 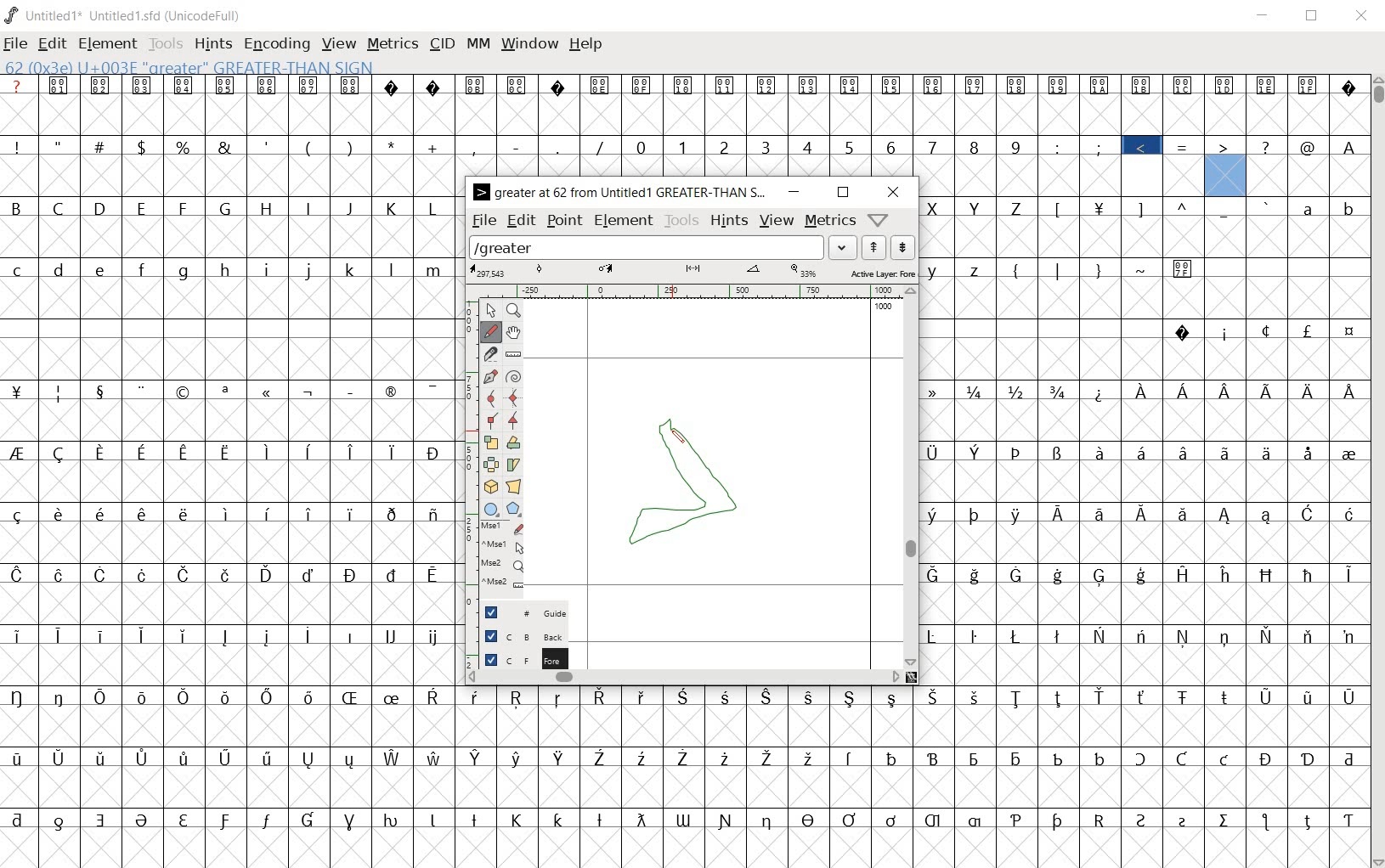 I want to click on add a curve point, so click(x=491, y=397).